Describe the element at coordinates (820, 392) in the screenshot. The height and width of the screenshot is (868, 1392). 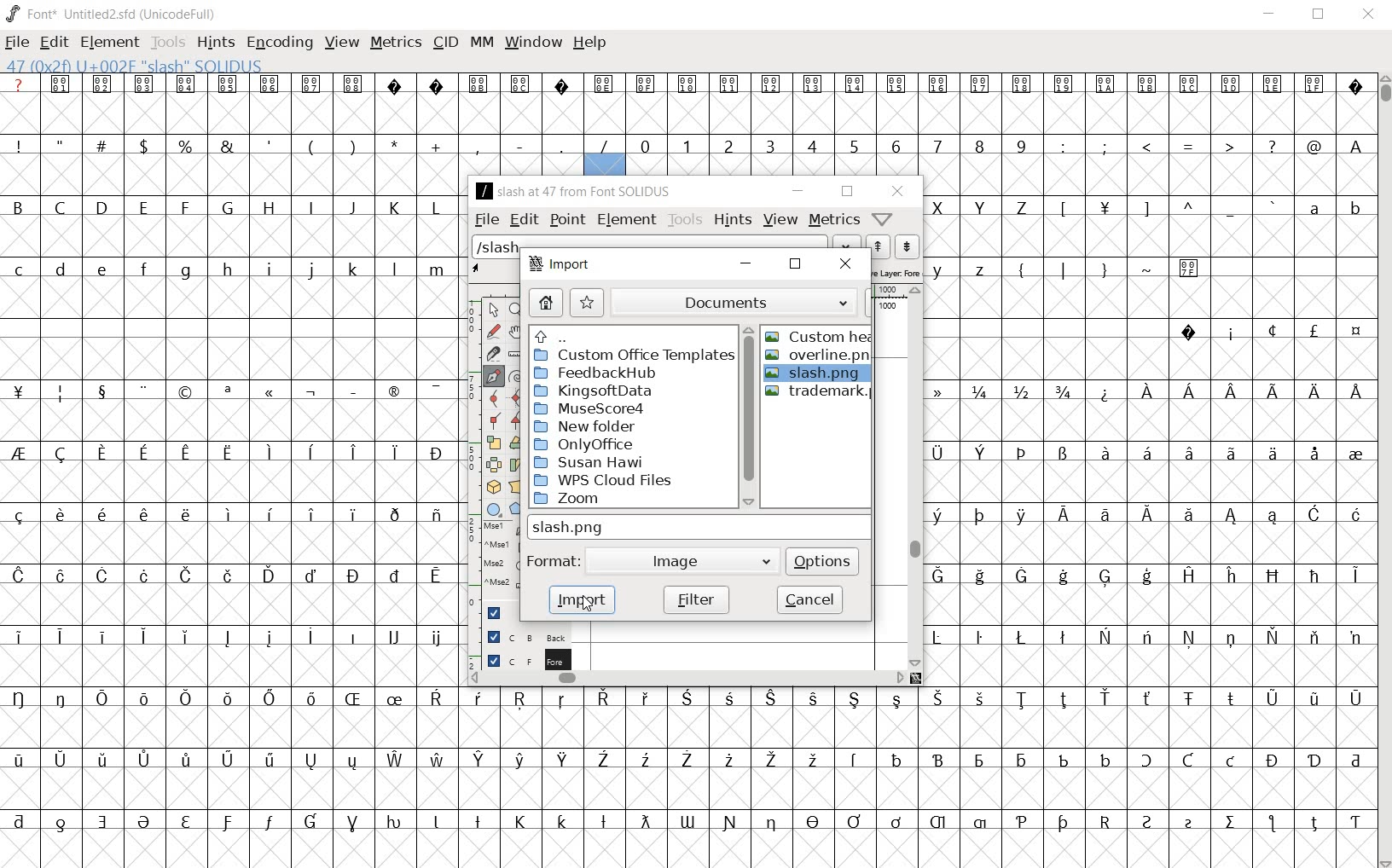
I see `trademark.png` at that location.